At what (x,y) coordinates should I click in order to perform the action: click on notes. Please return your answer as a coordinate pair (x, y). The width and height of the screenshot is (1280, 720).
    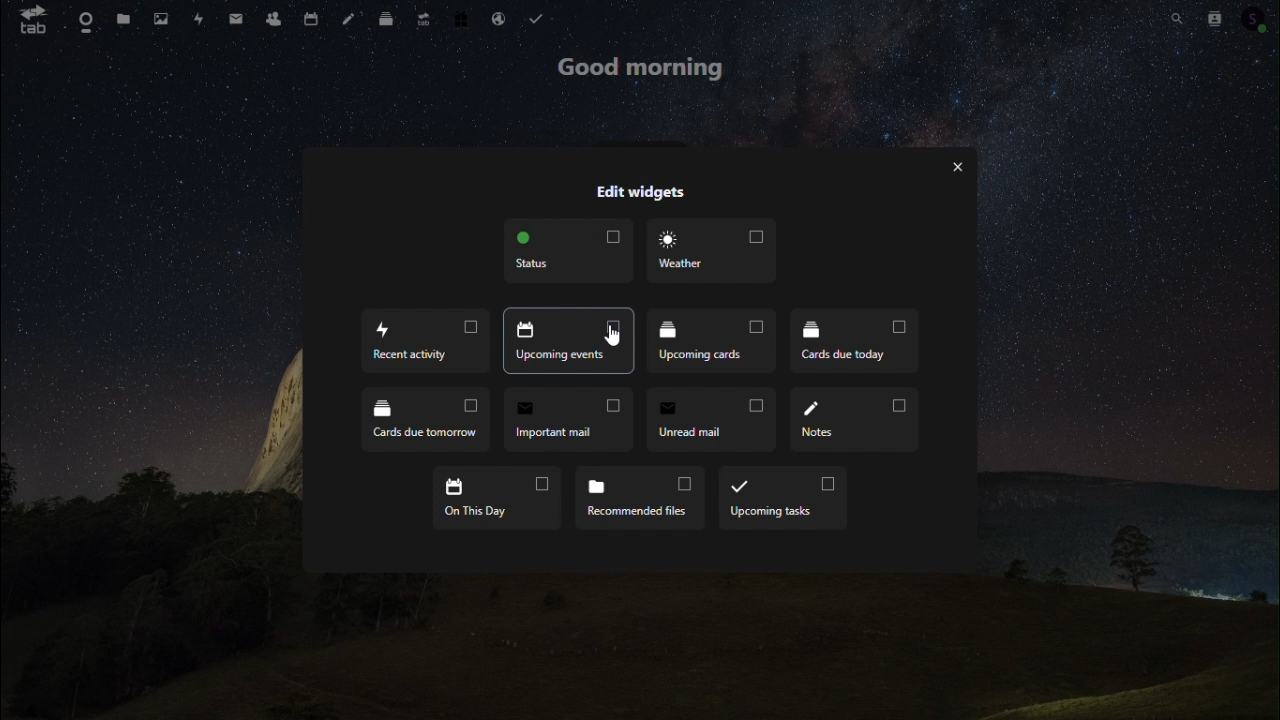
    Looking at the image, I should click on (352, 16).